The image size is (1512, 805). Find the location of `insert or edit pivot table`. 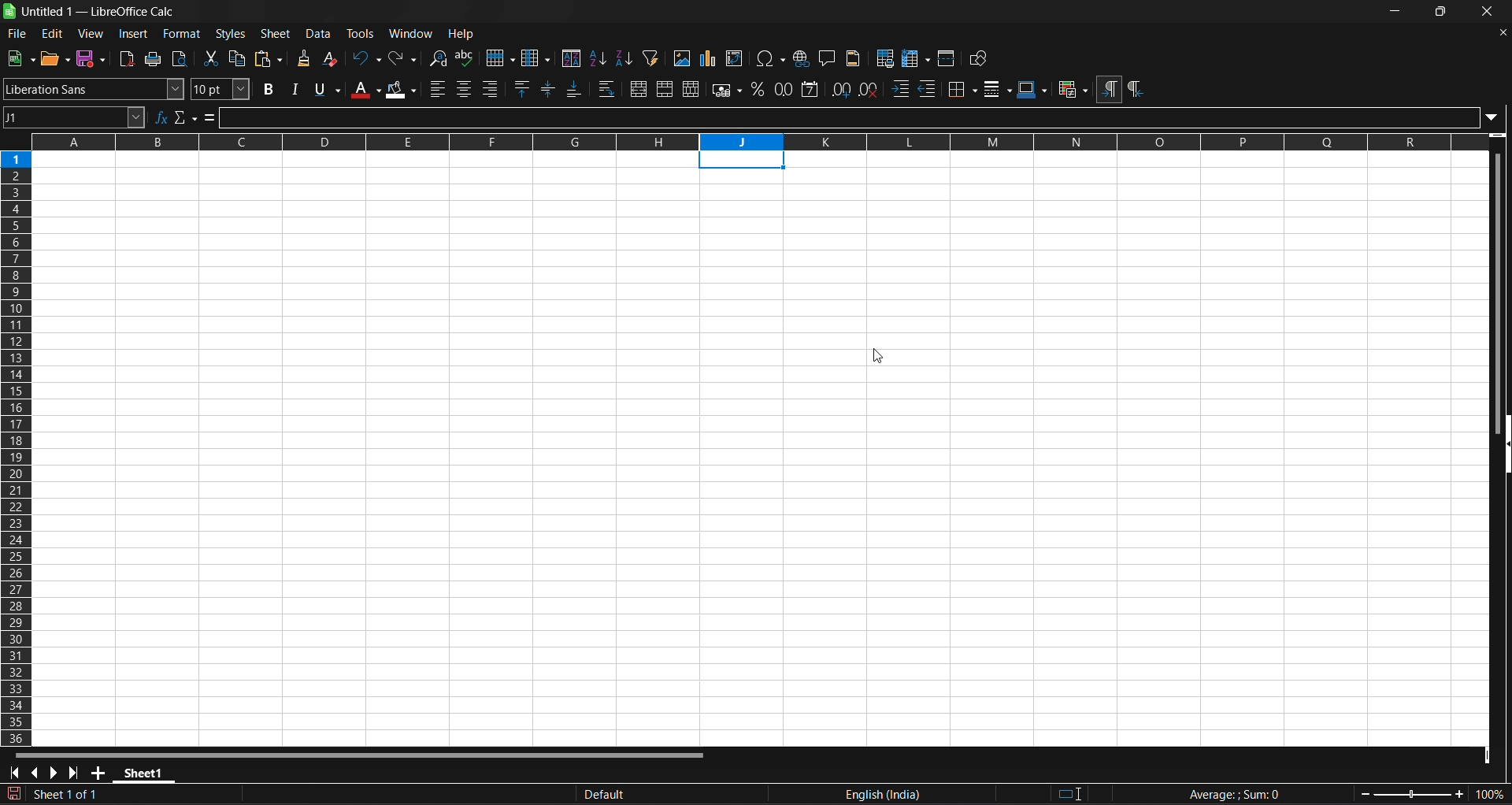

insert or edit pivot table is located at coordinates (735, 58).